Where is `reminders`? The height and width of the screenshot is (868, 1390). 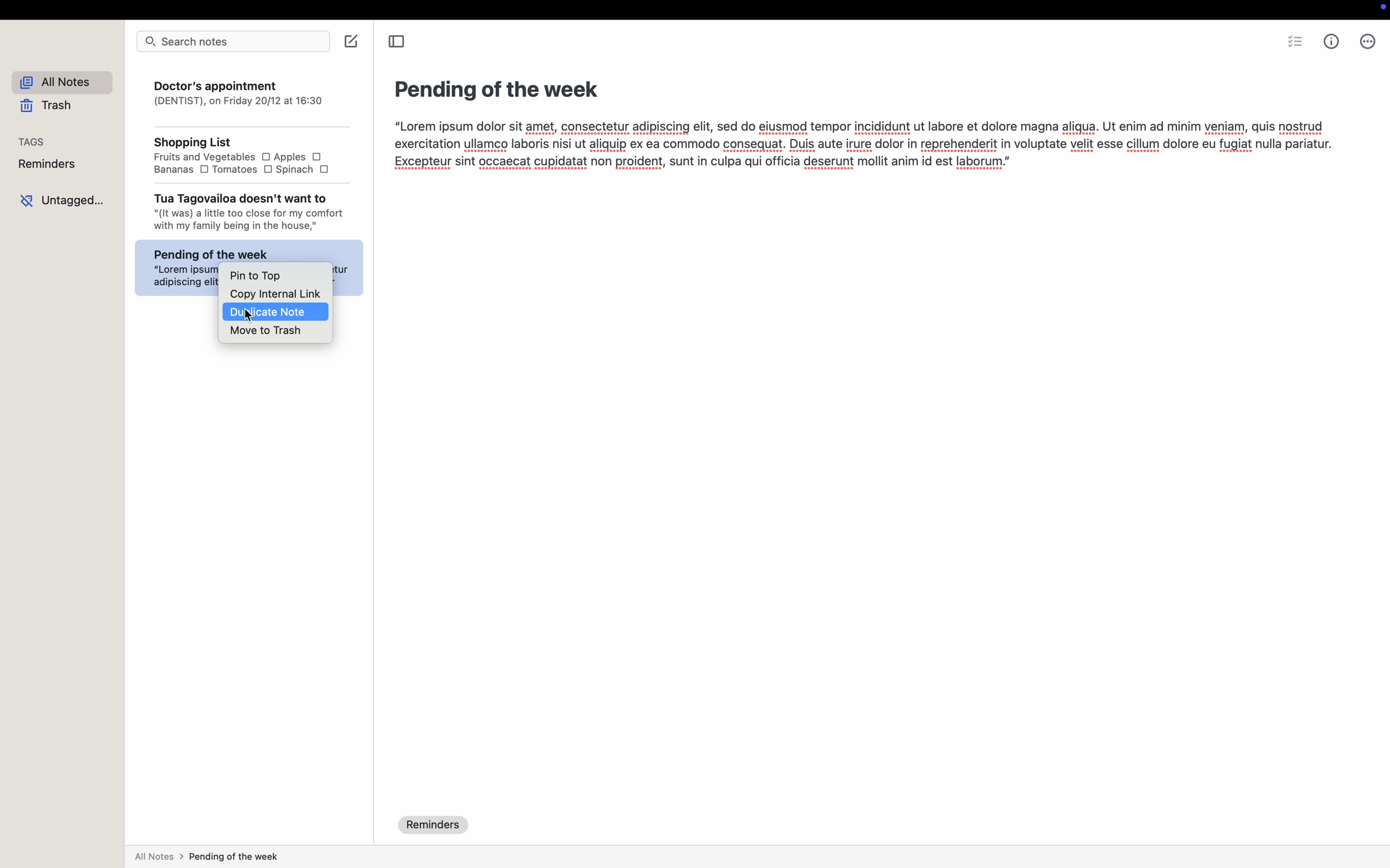 reminders is located at coordinates (49, 165).